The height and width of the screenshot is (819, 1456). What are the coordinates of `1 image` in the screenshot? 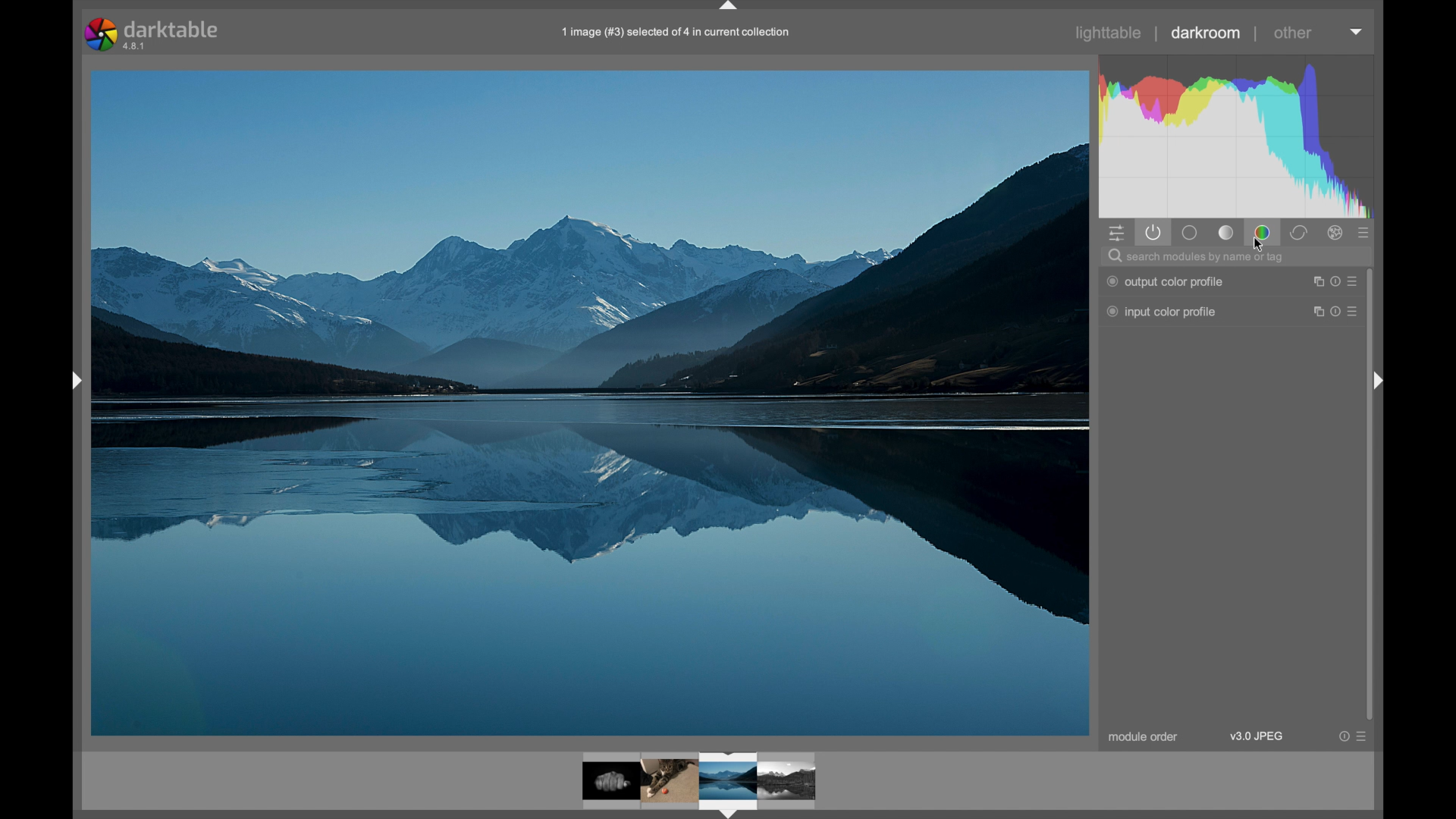 It's located at (677, 33).